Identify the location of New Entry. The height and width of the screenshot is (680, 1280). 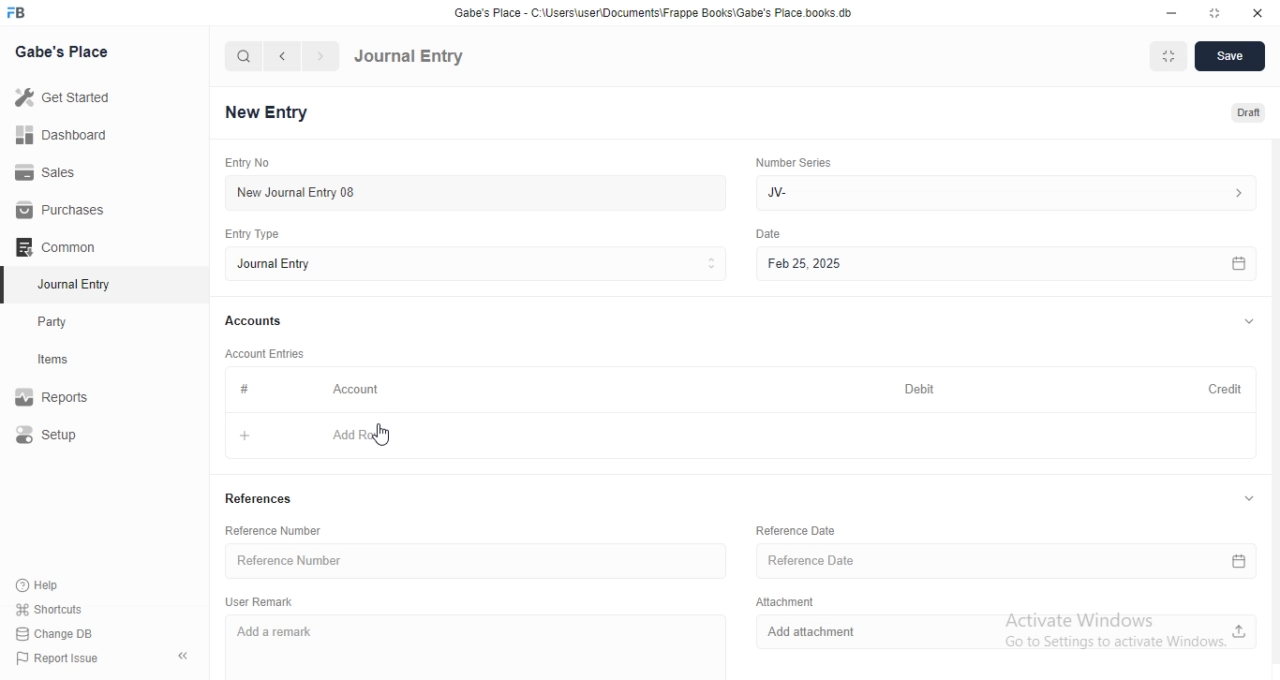
(266, 111).